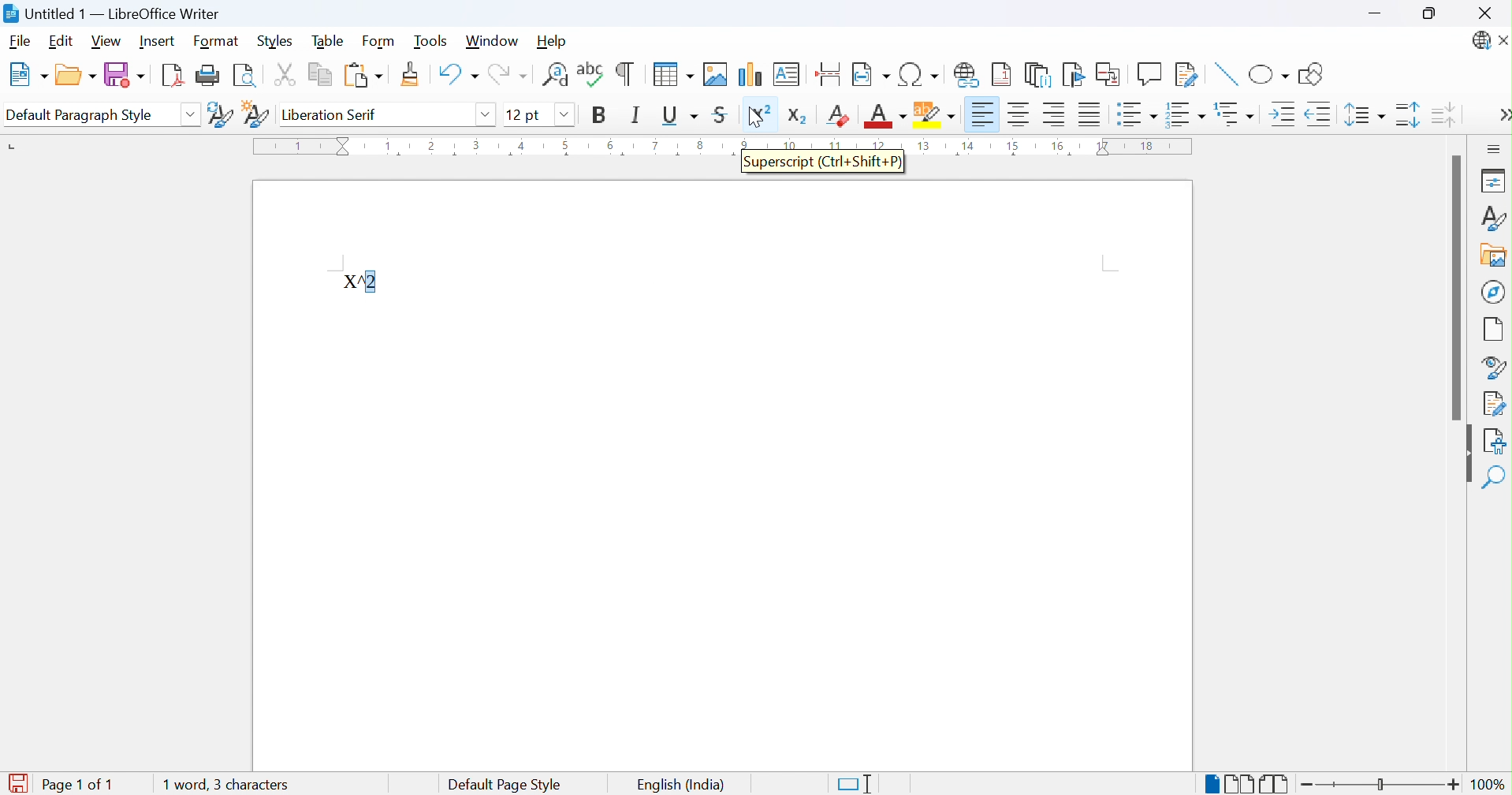 The height and width of the screenshot is (795, 1512). I want to click on Close, so click(1484, 13).